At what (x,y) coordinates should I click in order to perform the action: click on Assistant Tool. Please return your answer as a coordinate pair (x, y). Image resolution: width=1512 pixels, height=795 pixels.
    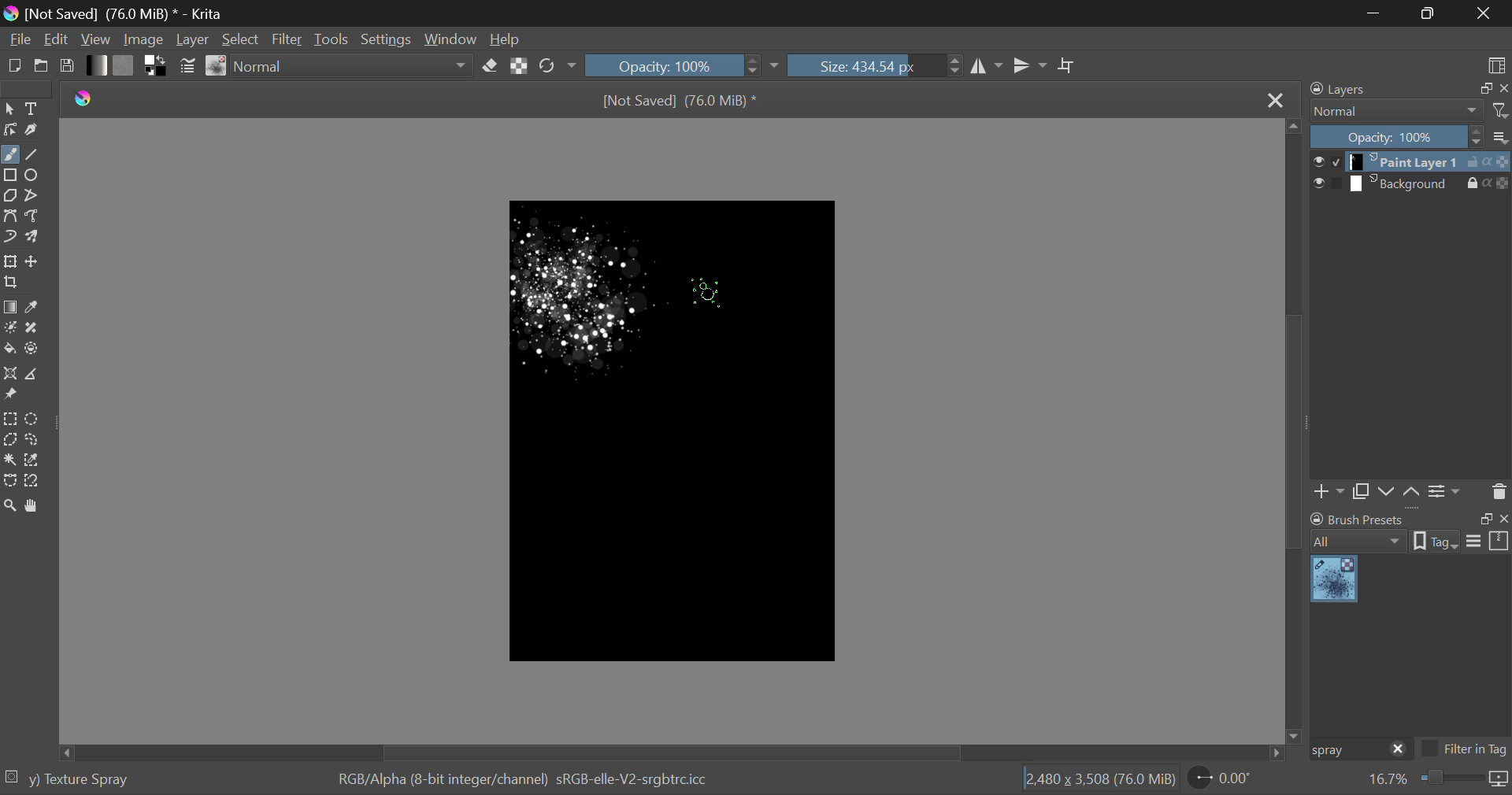
    Looking at the image, I should click on (9, 374).